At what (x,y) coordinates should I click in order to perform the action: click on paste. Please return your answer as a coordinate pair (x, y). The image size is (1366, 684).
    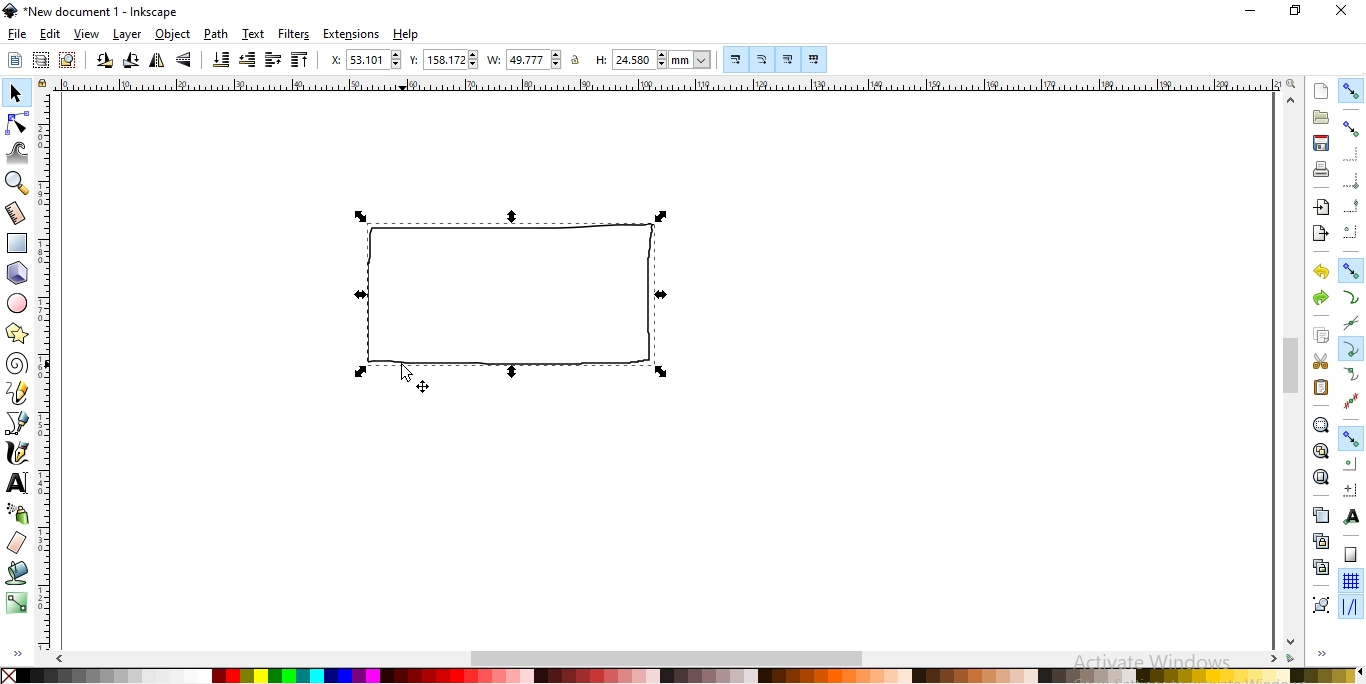
    Looking at the image, I should click on (1320, 388).